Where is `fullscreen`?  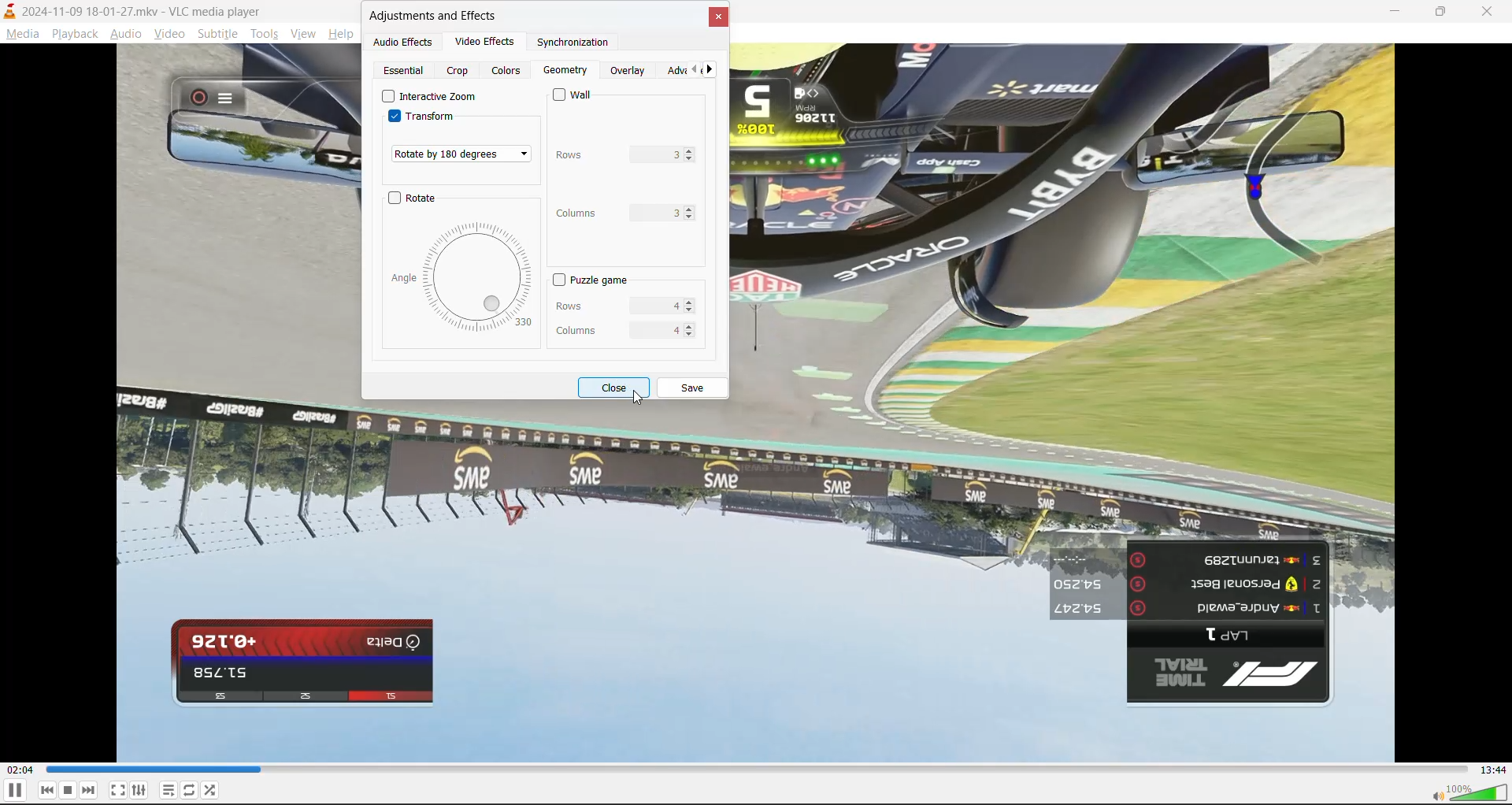
fullscreen is located at coordinates (118, 790).